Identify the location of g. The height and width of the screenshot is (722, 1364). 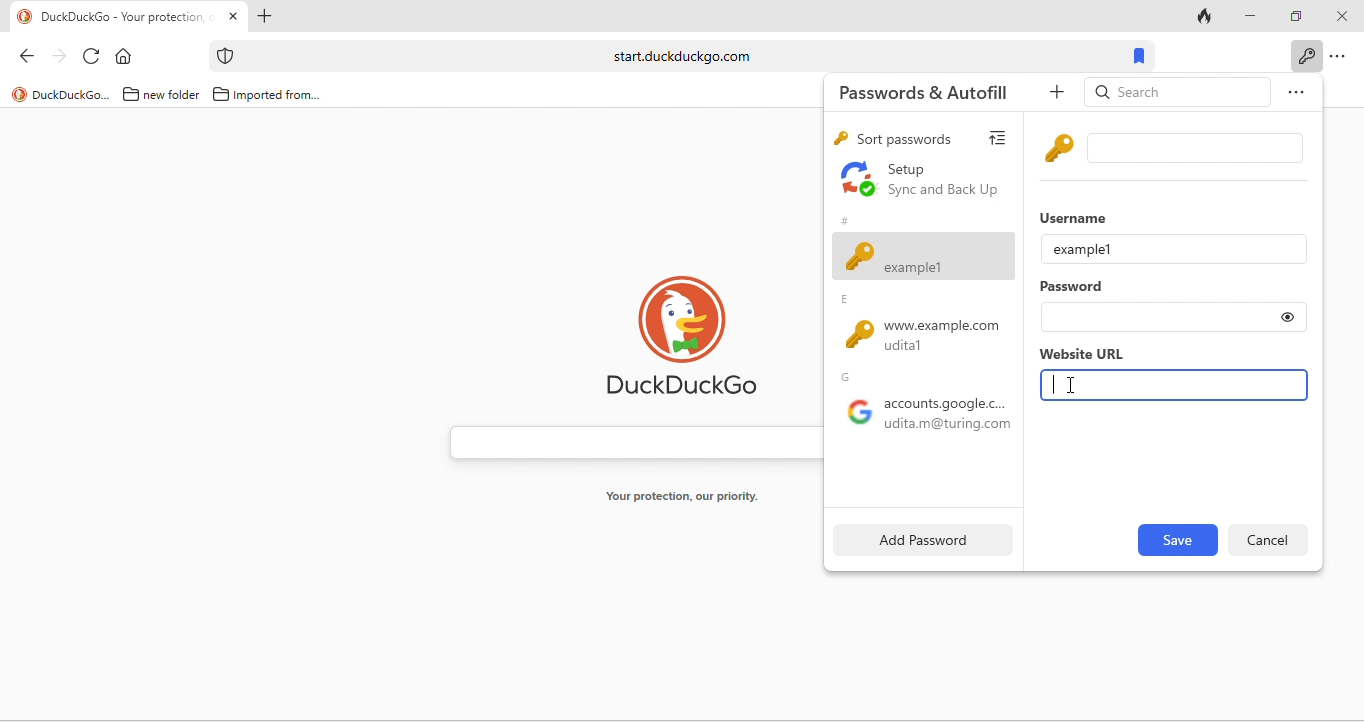
(850, 377).